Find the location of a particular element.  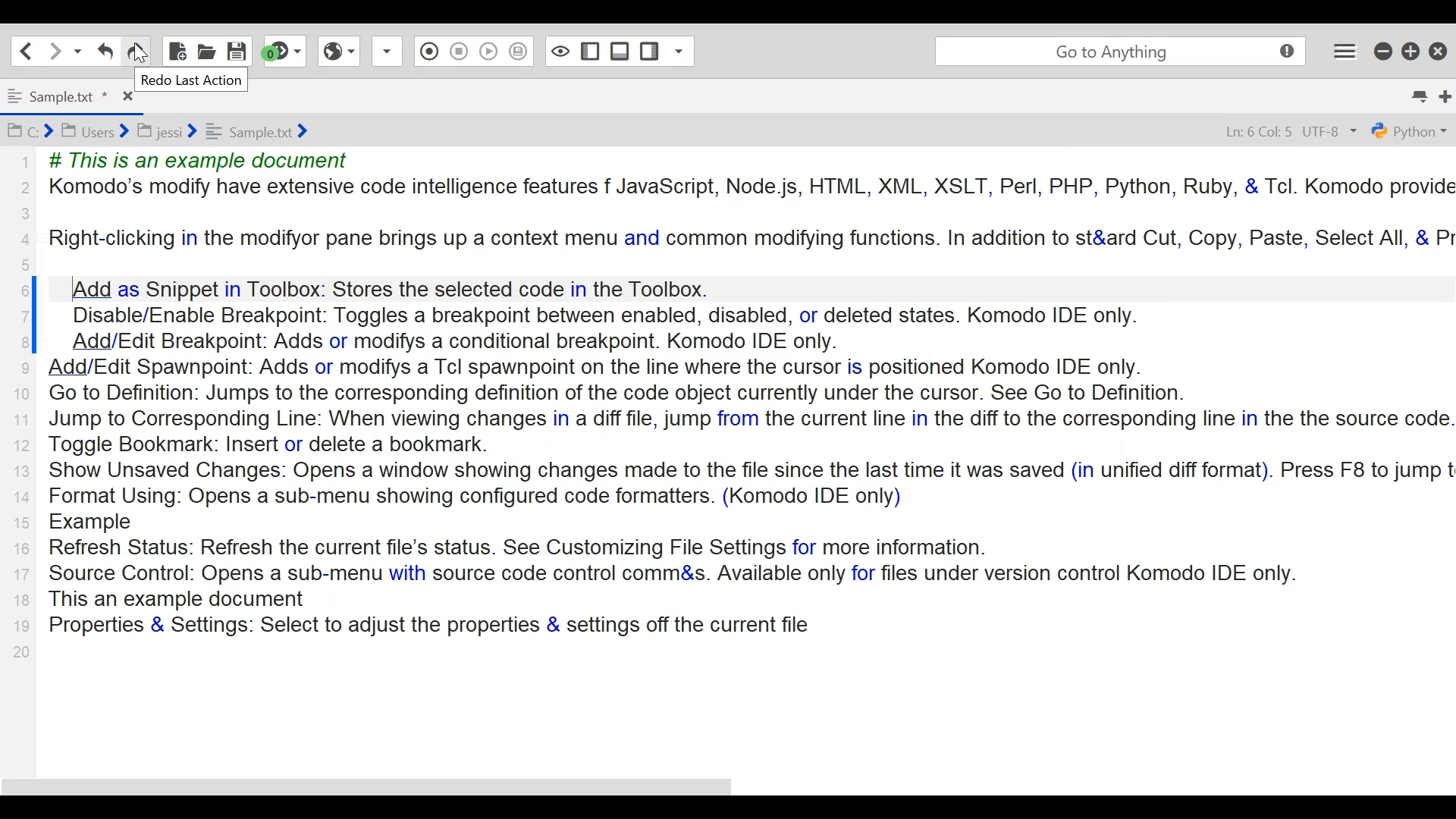

Play last Macro is located at coordinates (489, 51).